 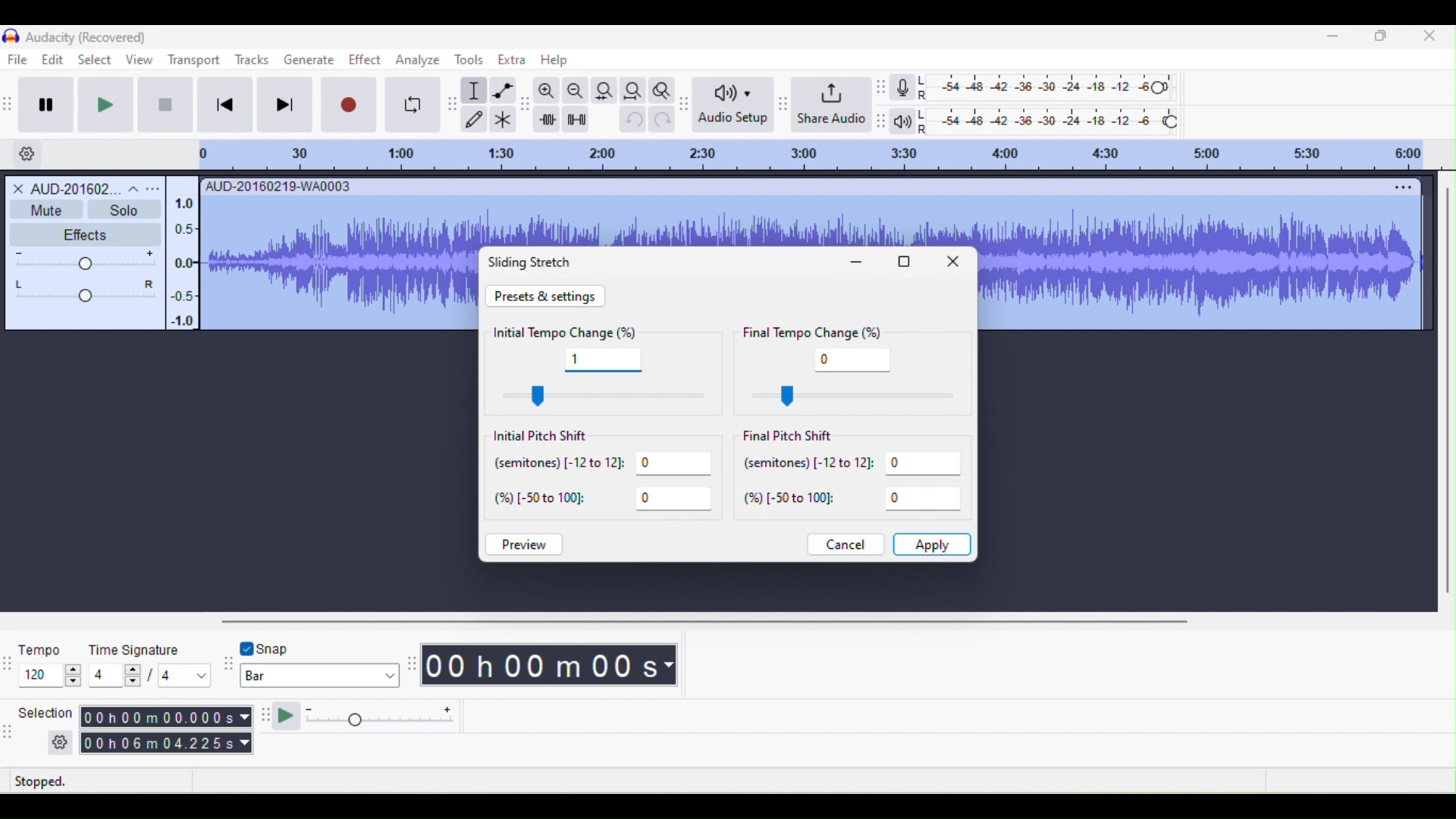 I want to click on cancel, so click(x=843, y=544).